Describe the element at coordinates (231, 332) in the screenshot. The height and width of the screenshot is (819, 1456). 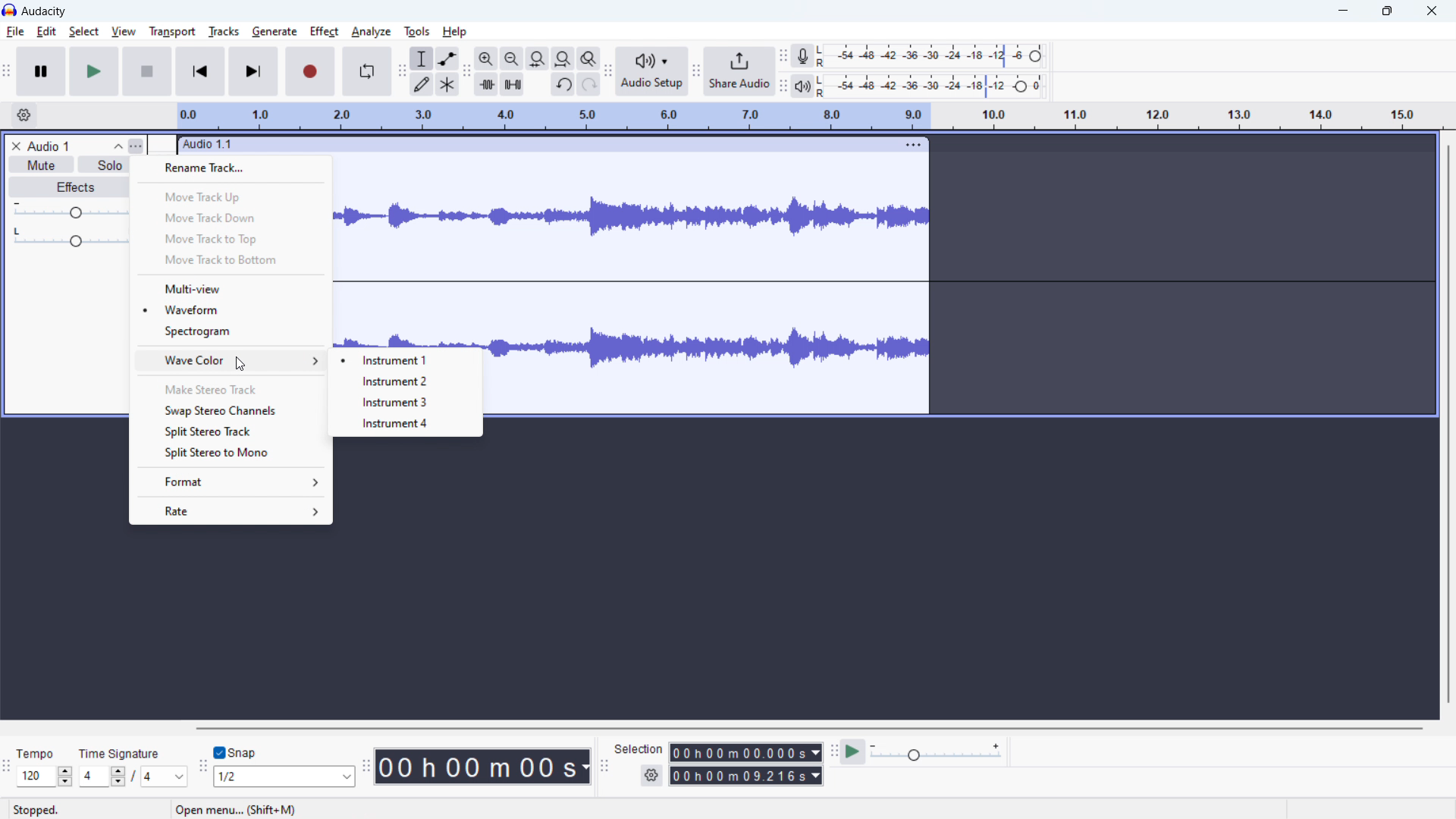
I see `spectogram` at that location.